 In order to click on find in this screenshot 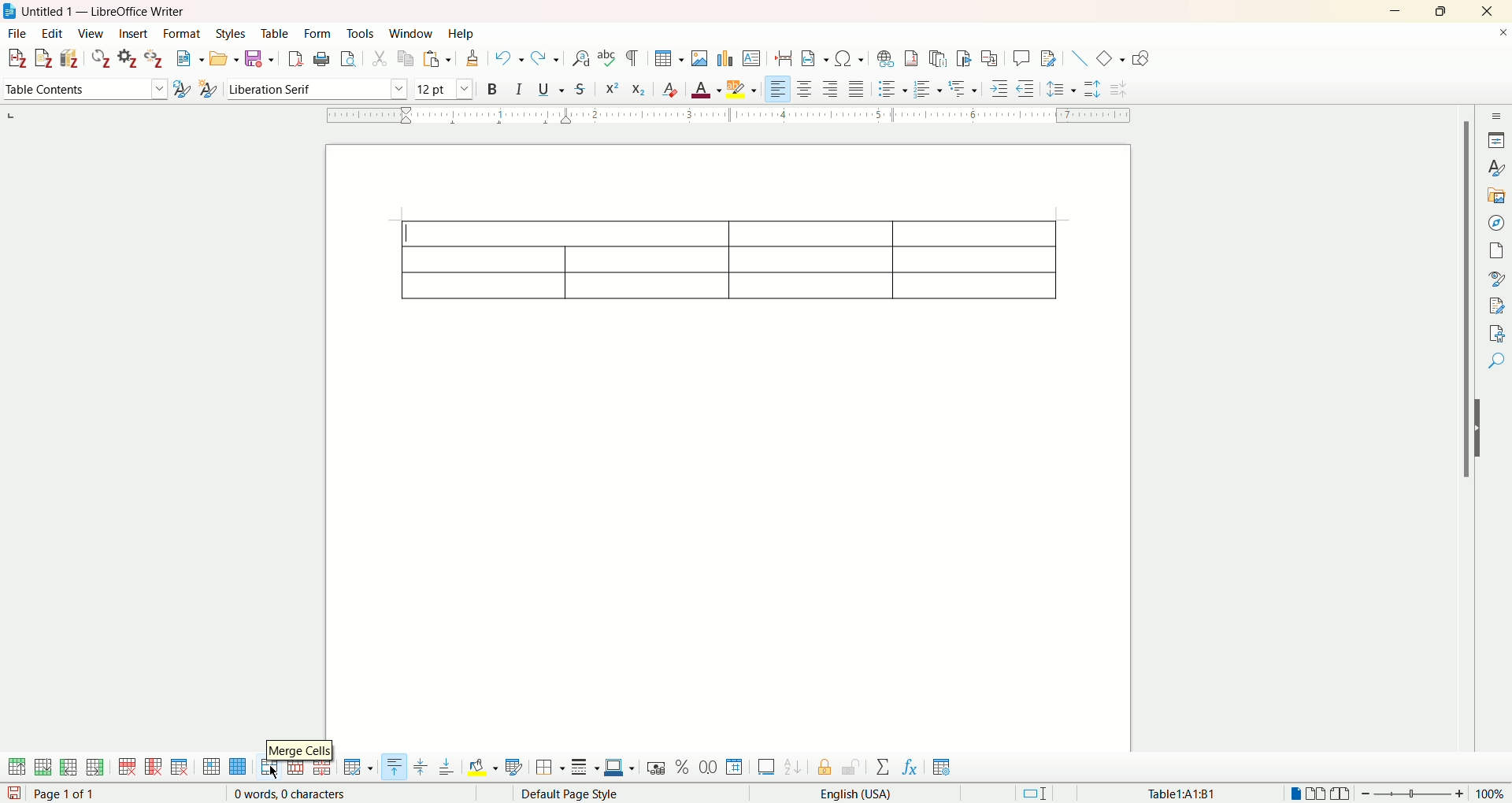, I will do `click(1499, 361)`.